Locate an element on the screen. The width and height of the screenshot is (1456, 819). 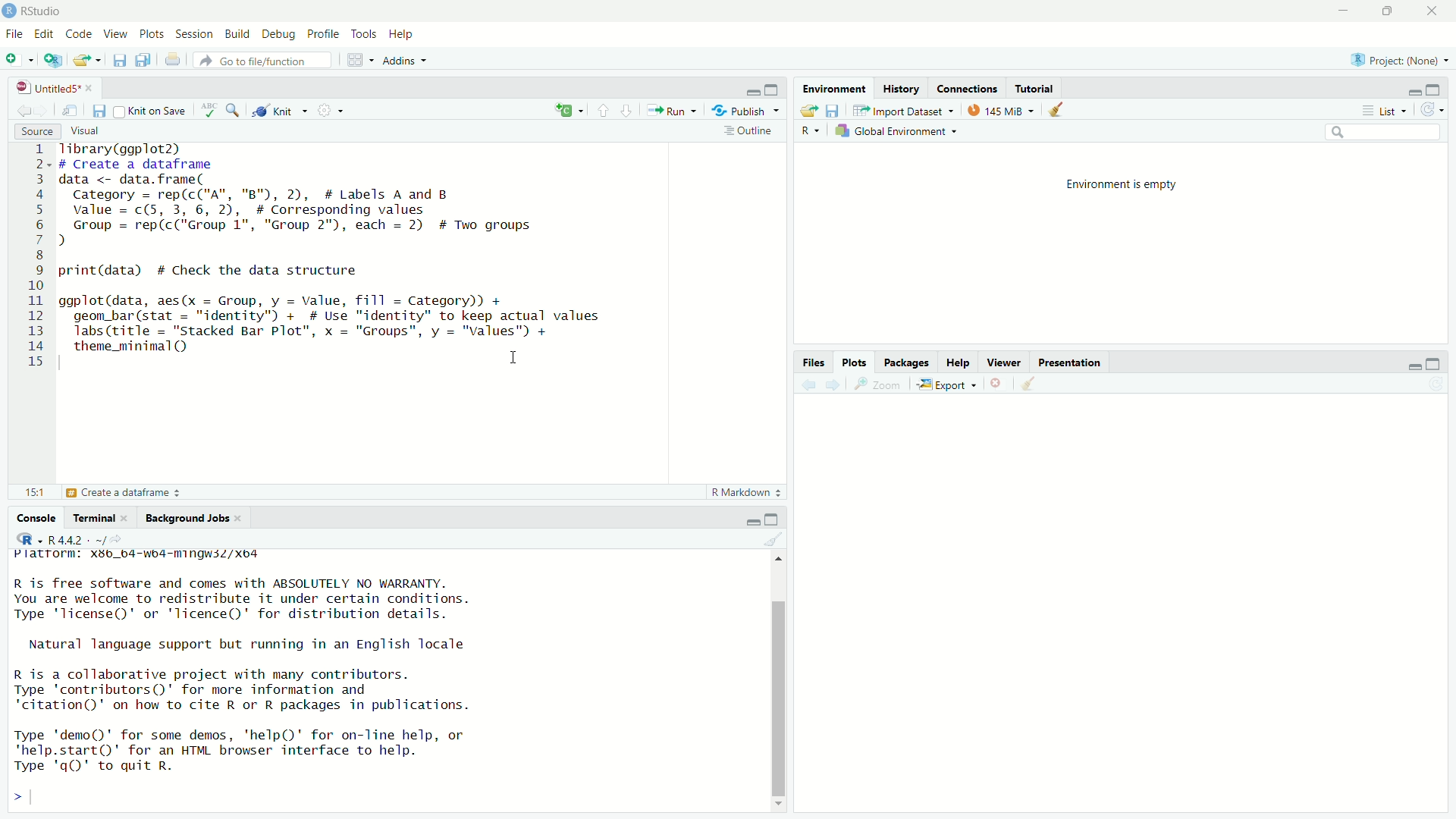
R.4.4.2 ~/ is located at coordinates (89, 538).